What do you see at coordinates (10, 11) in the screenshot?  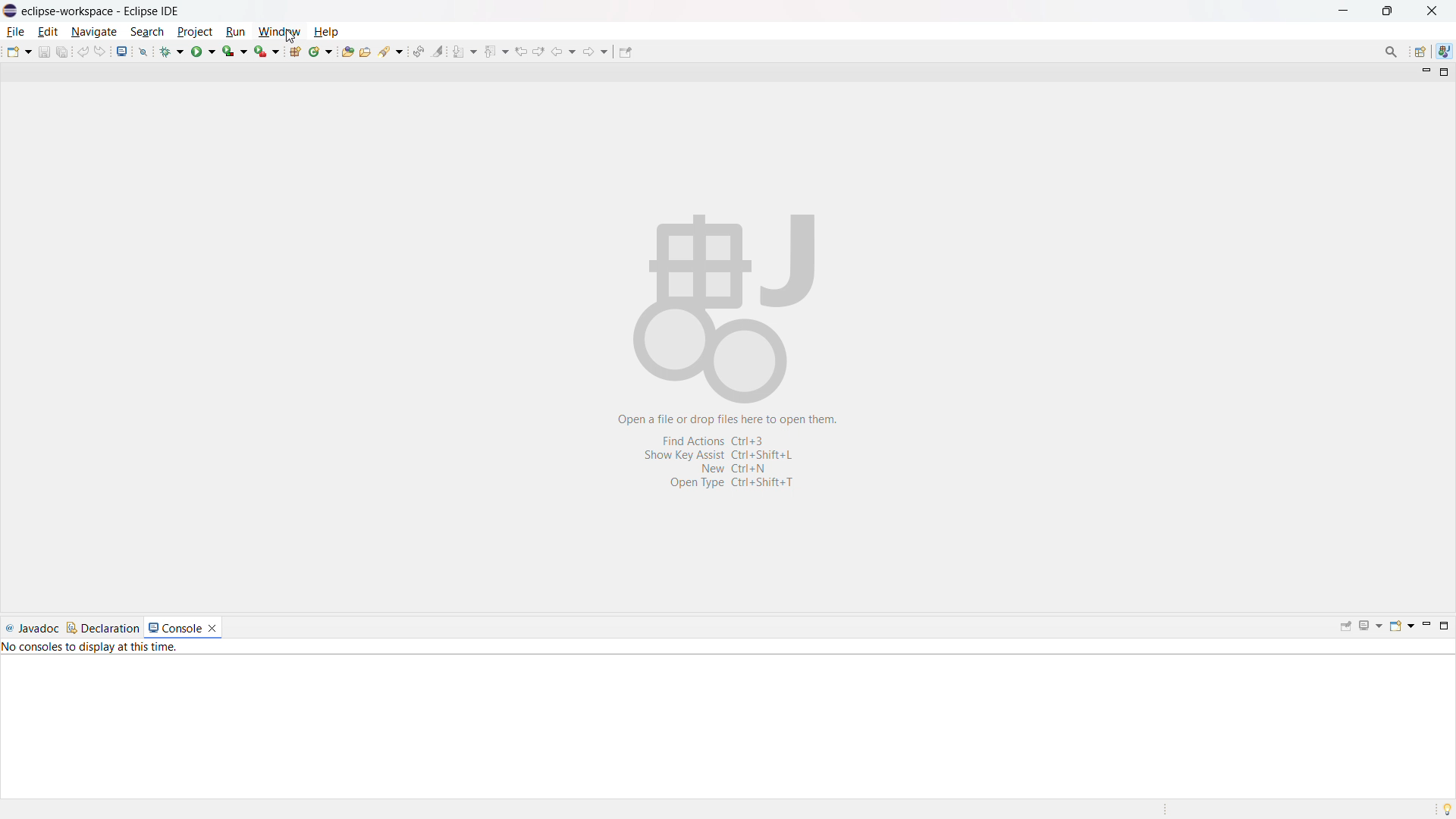 I see `logo` at bounding box center [10, 11].